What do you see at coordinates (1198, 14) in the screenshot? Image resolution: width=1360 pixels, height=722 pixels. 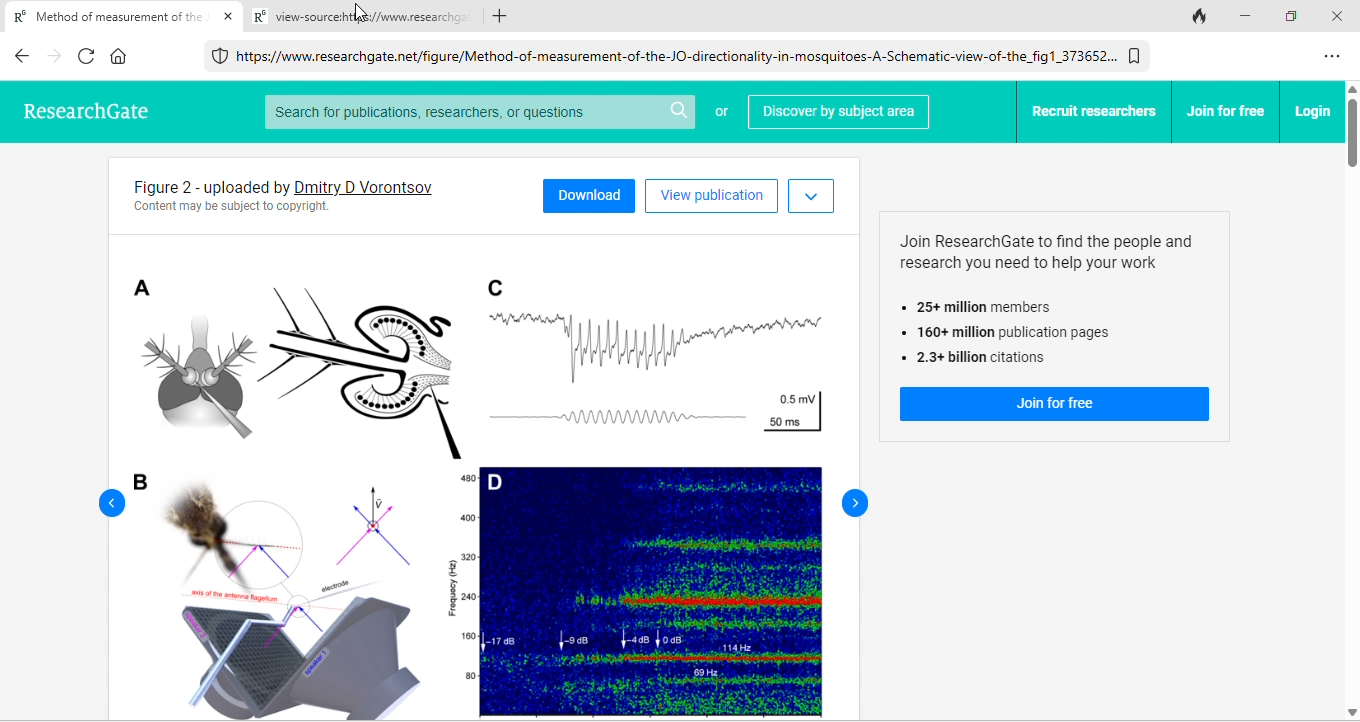 I see `track ta` at bounding box center [1198, 14].